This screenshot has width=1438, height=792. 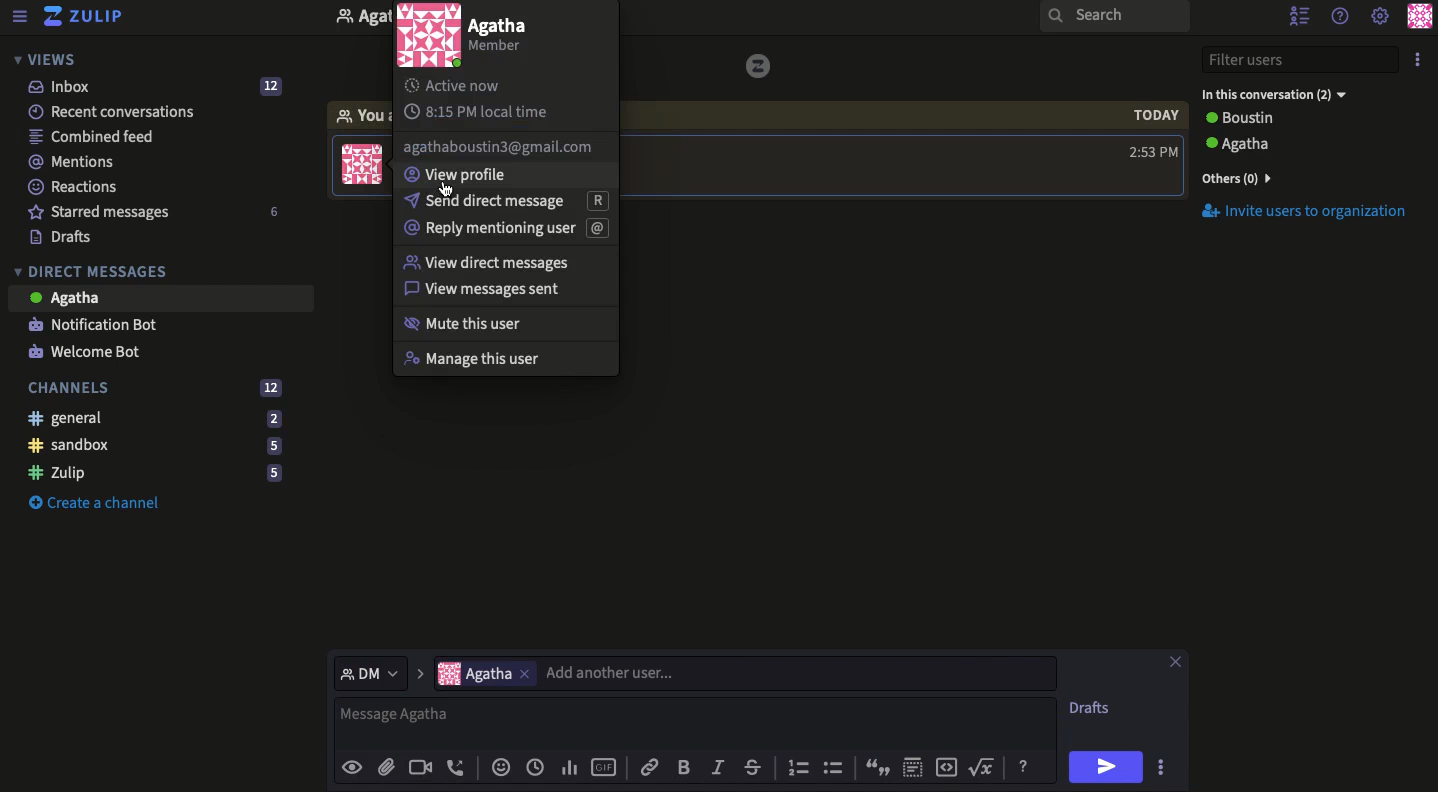 I want to click on Users, so click(x=1288, y=120).